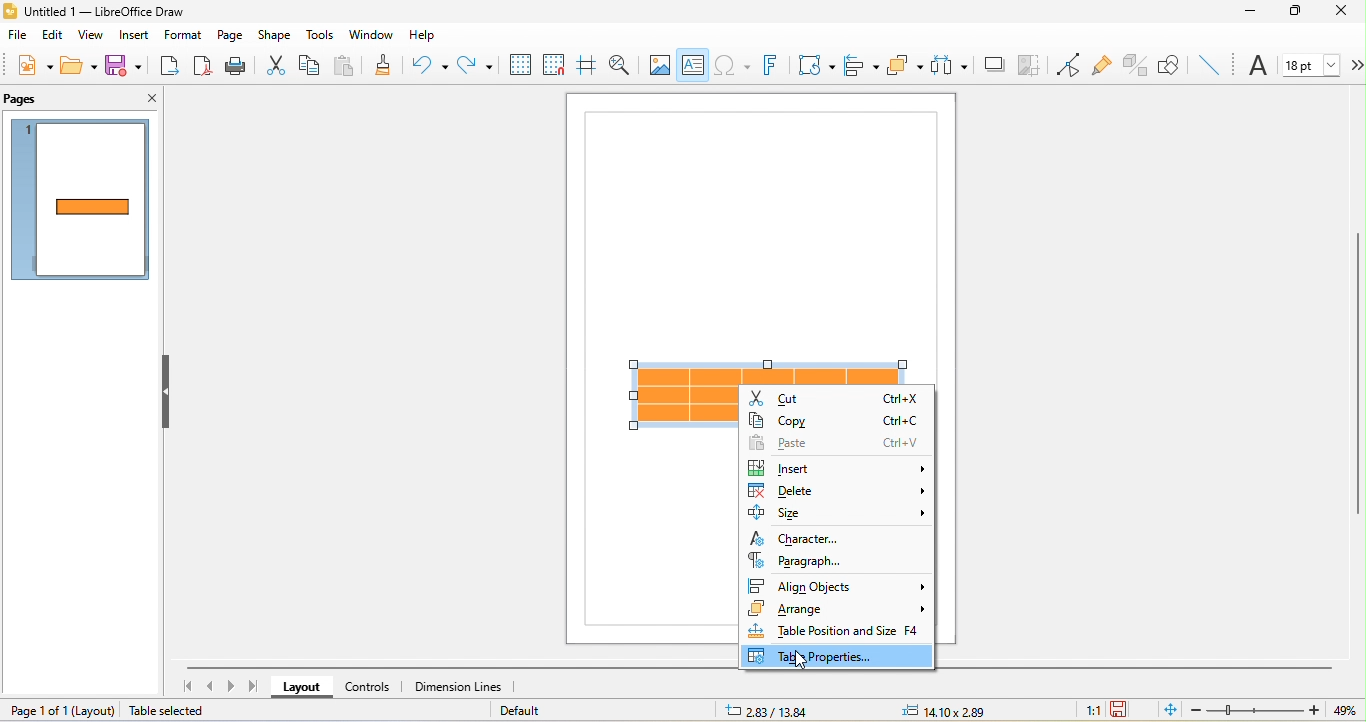 This screenshot has height=722, width=1366. I want to click on page, so click(231, 37).